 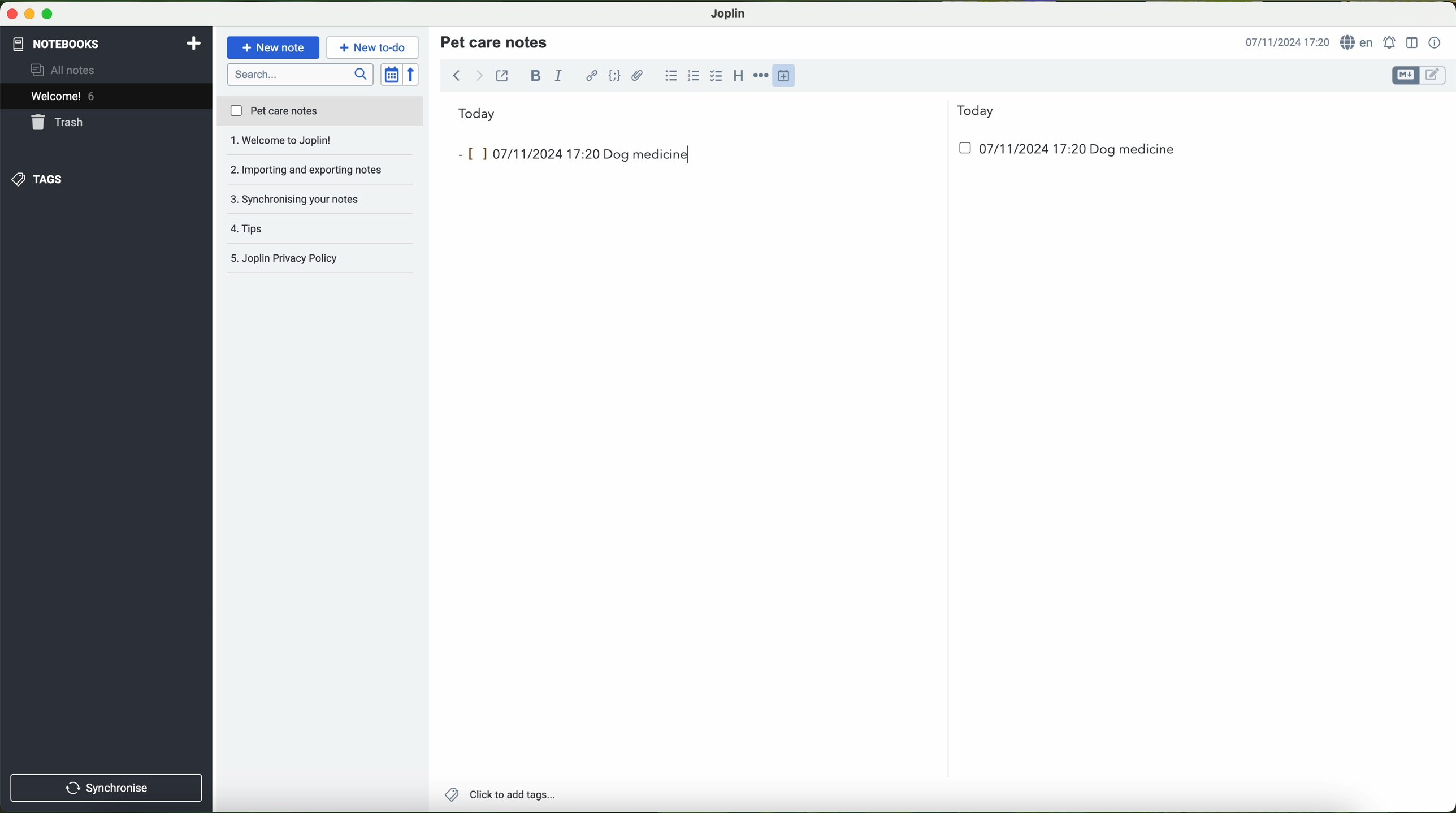 What do you see at coordinates (1435, 43) in the screenshot?
I see `note properties` at bounding box center [1435, 43].